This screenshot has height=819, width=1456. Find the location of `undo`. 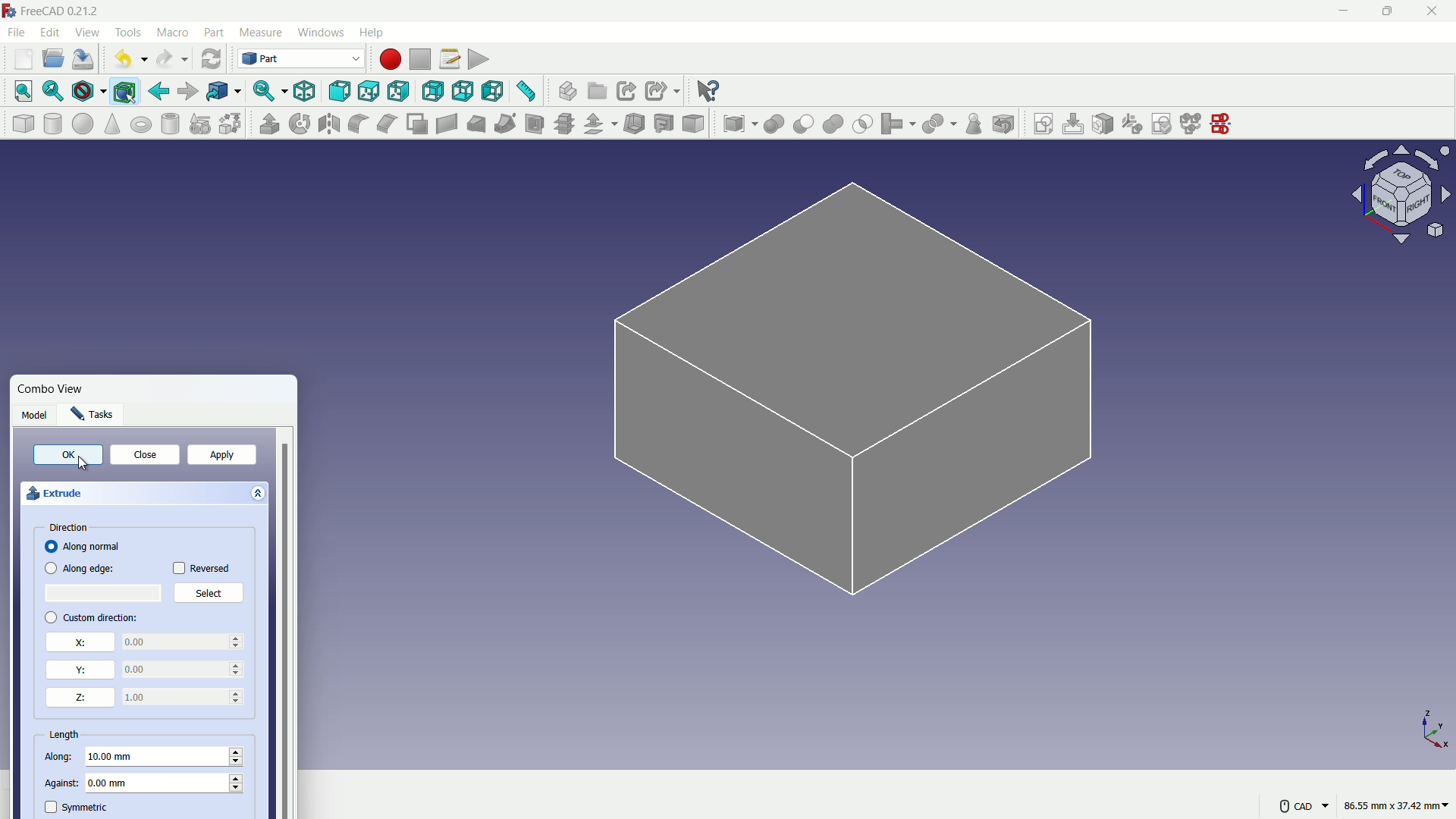

undo is located at coordinates (133, 59).